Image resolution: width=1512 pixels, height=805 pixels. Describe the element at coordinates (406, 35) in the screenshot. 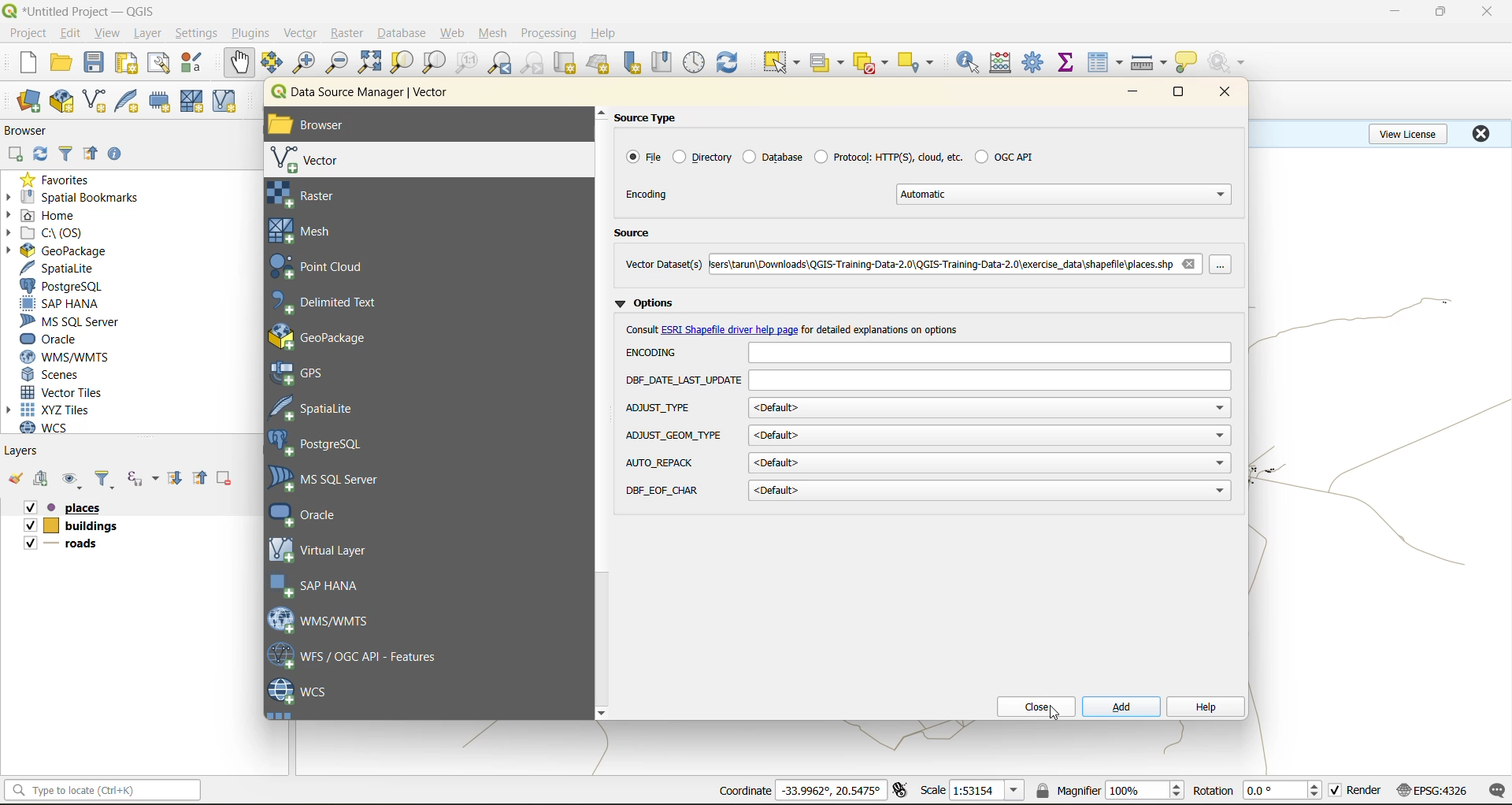

I see `database` at that location.